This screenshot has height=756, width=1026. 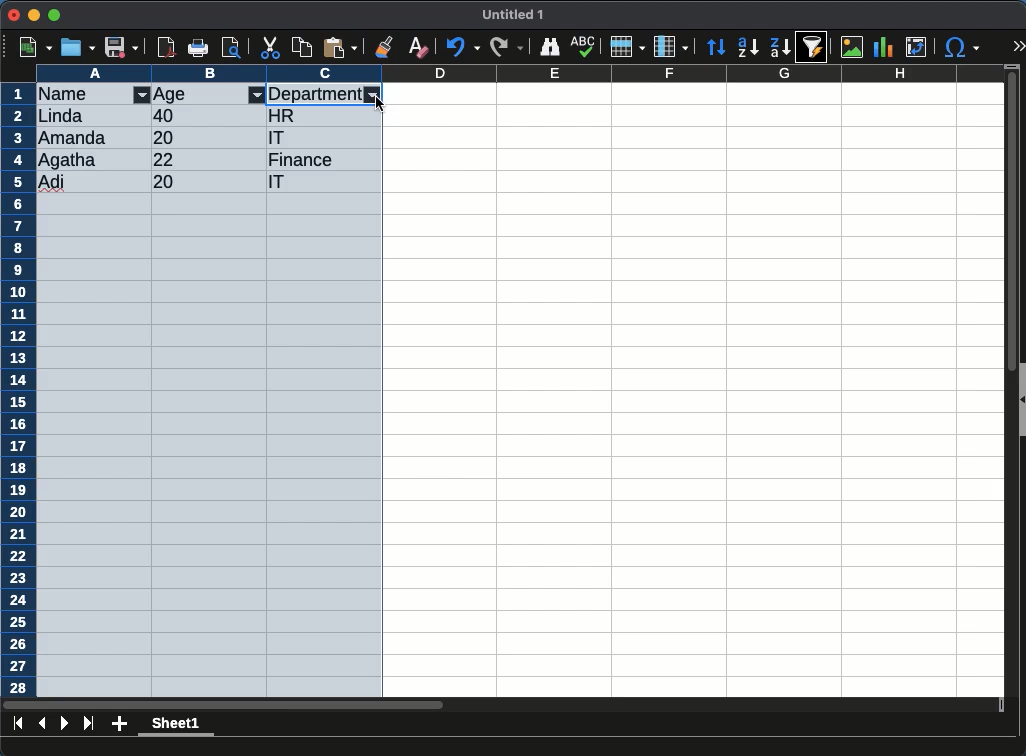 I want to click on last page, so click(x=88, y=725).